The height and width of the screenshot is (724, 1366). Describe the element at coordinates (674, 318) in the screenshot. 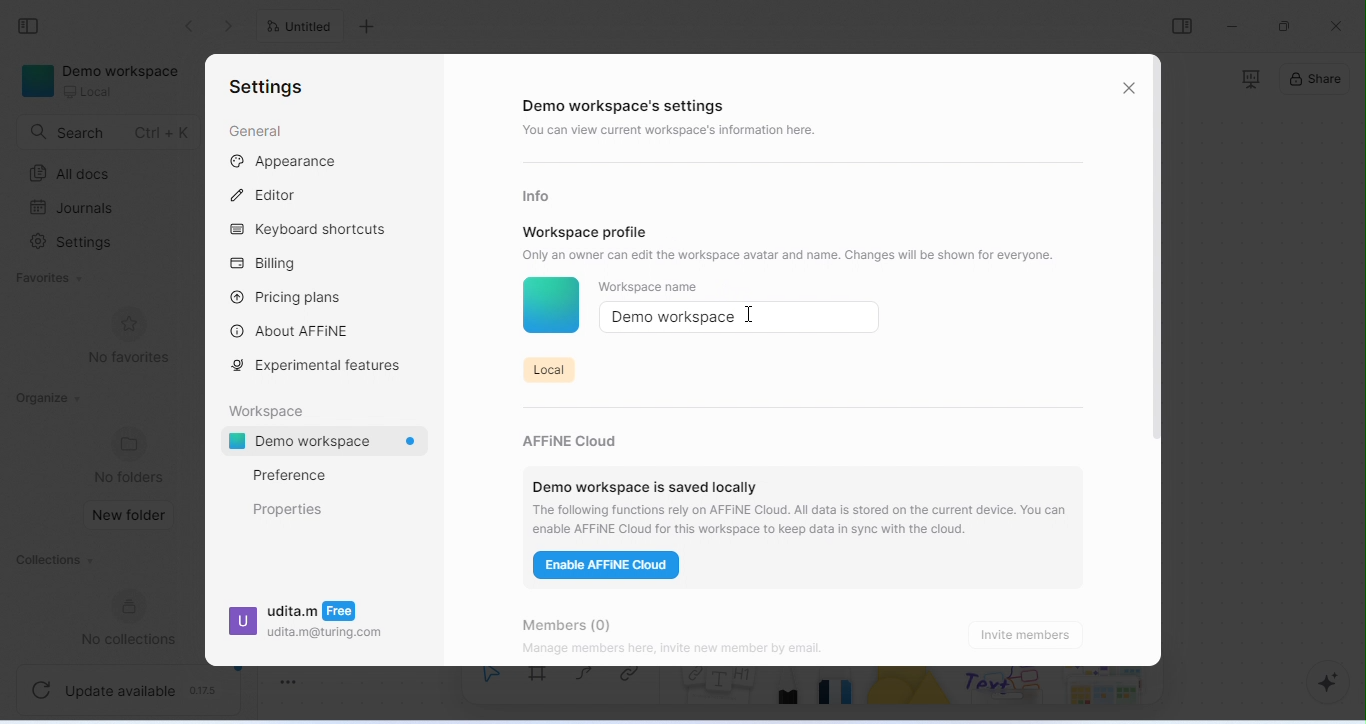

I see `demo workspace` at that location.